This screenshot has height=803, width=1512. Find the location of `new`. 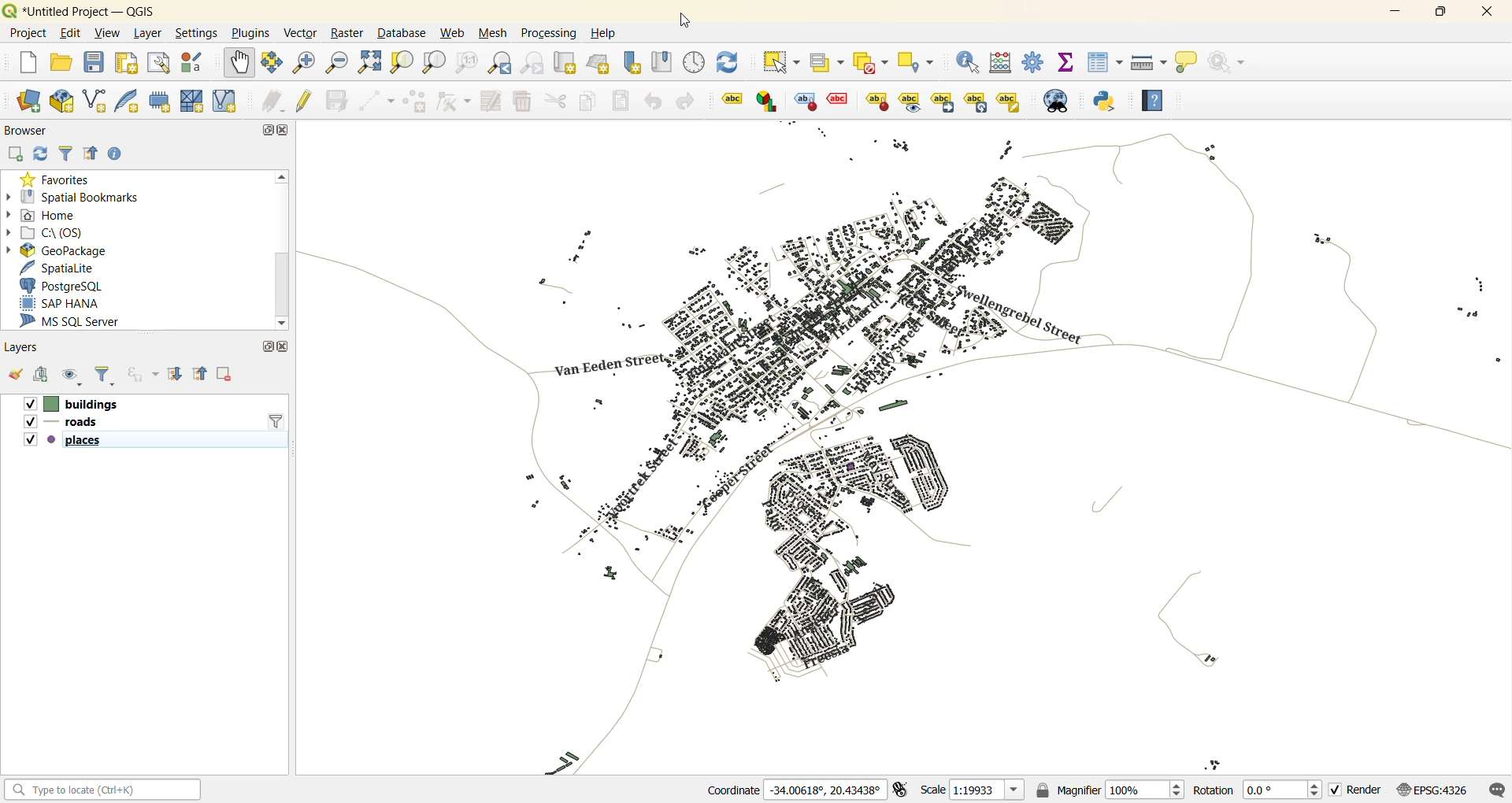

new is located at coordinates (25, 65).